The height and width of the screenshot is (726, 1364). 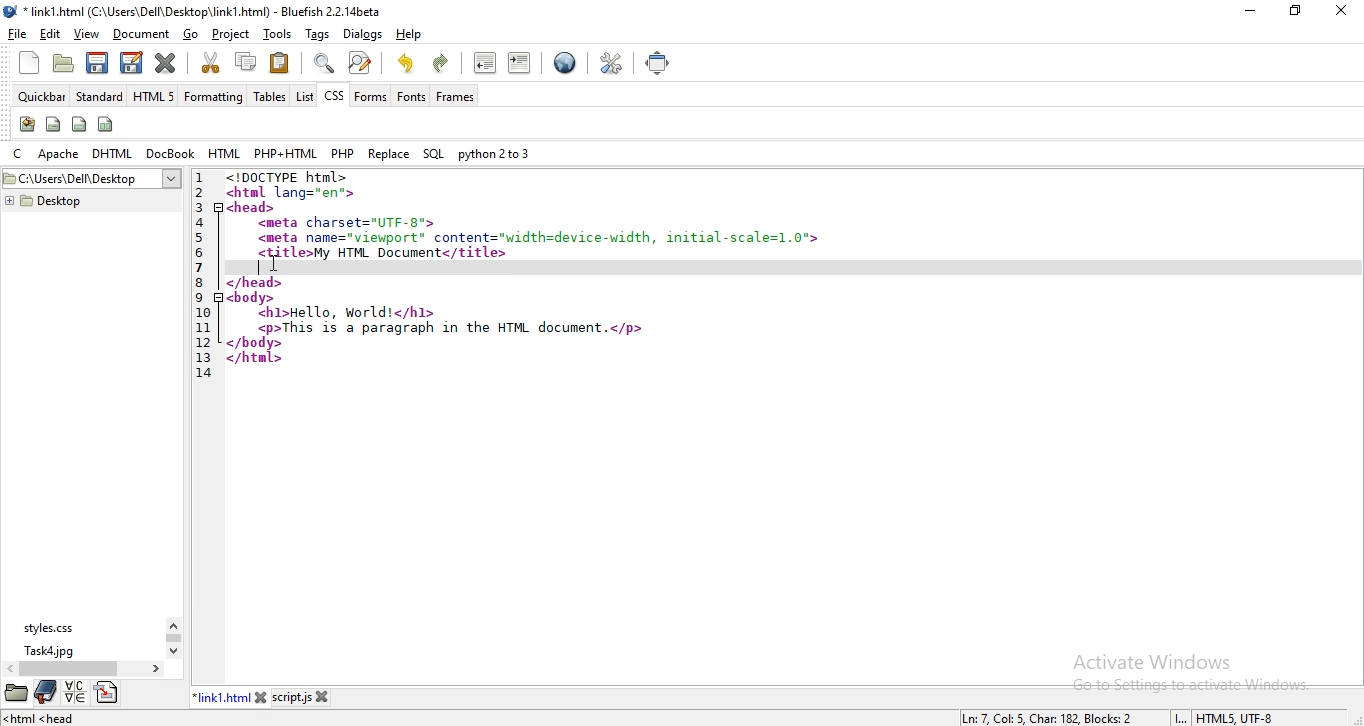 I want to click on indent , so click(x=519, y=63).